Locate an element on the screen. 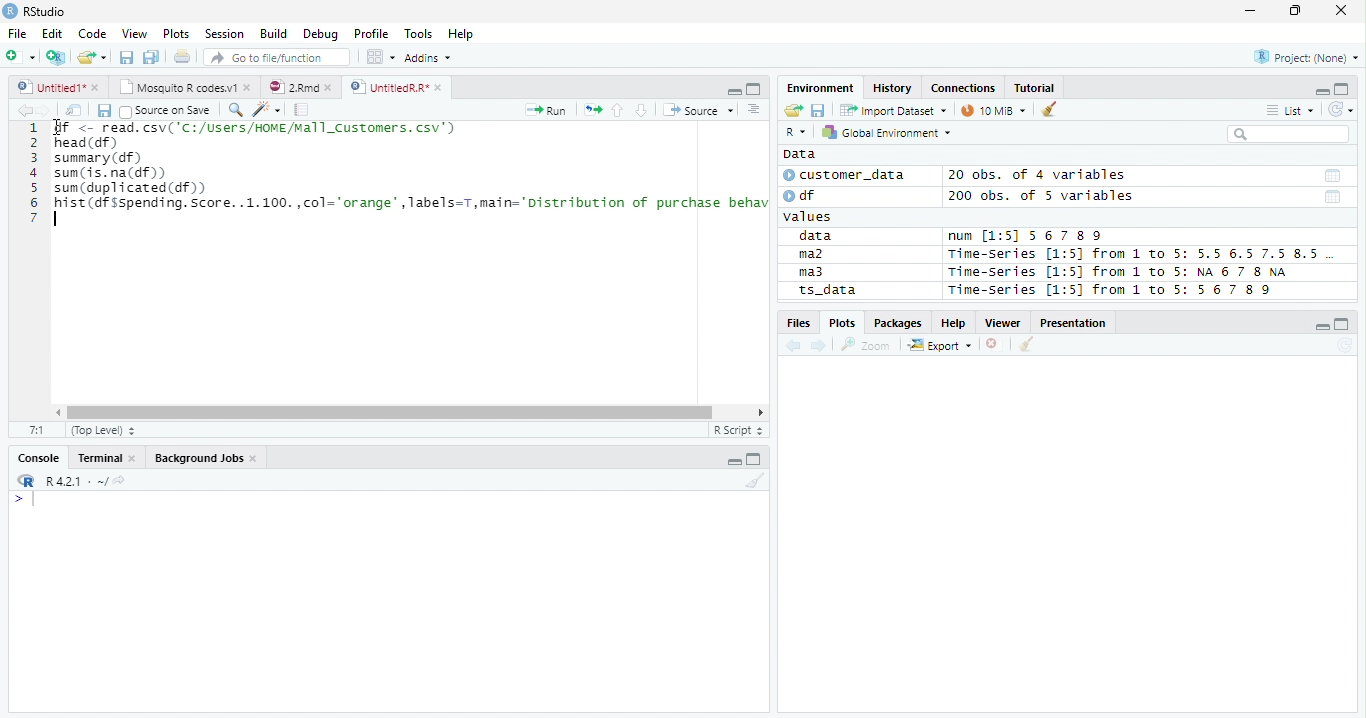 The image size is (1366, 718). R is located at coordinates (24, 481).